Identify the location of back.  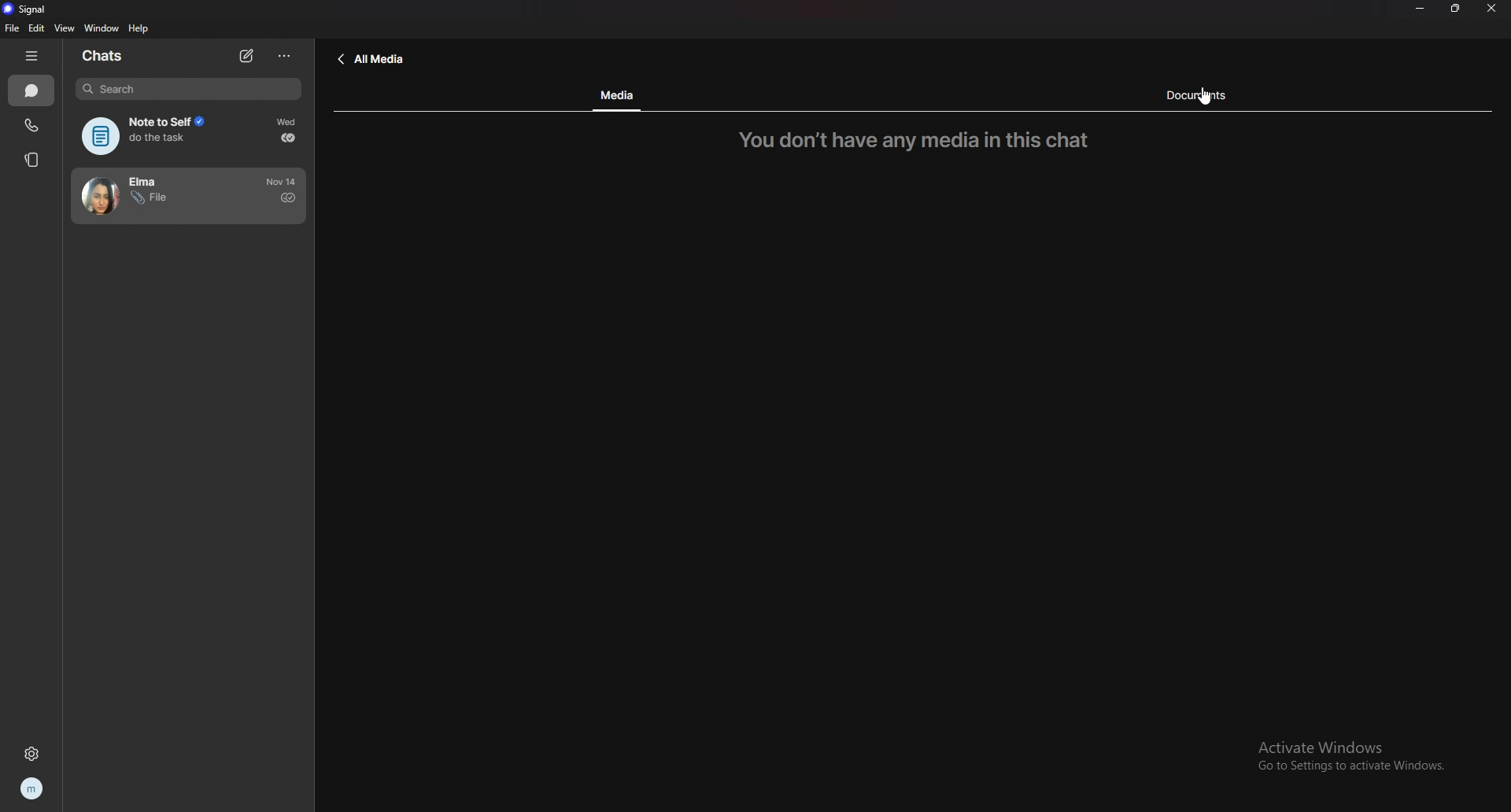
(371, 60).